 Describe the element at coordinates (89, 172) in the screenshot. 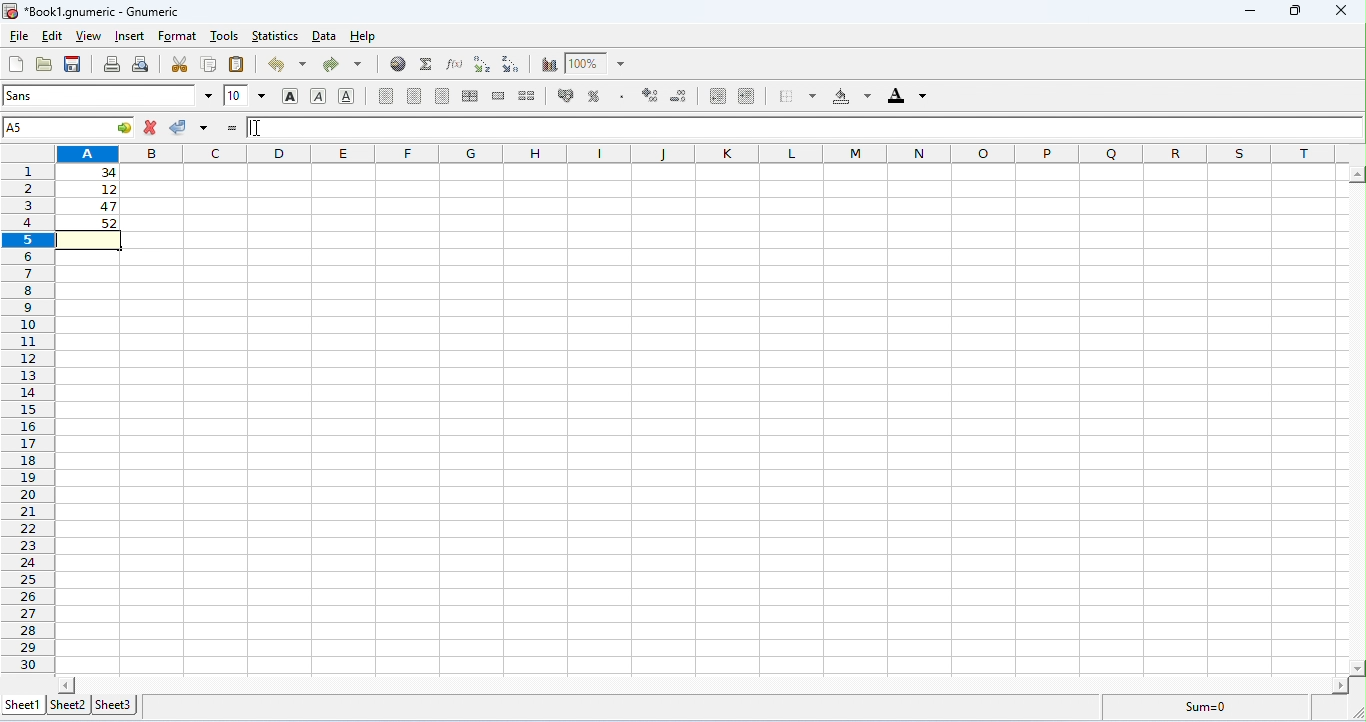

I see `34` at that location.